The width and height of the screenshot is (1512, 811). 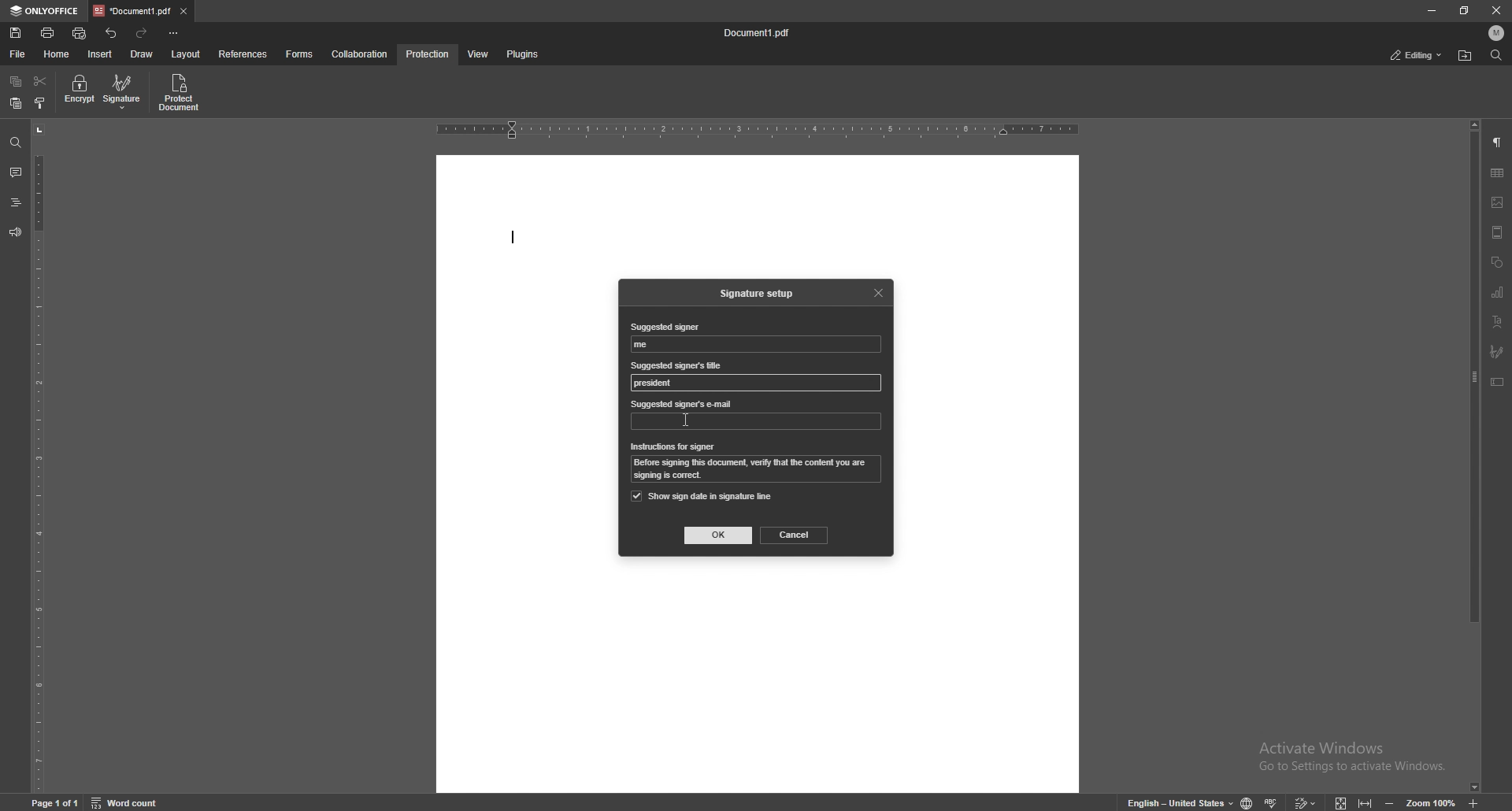 What do you see at coordinates (57, 802) in the screenshot?
I see `page` at bounding box center [57, 802].